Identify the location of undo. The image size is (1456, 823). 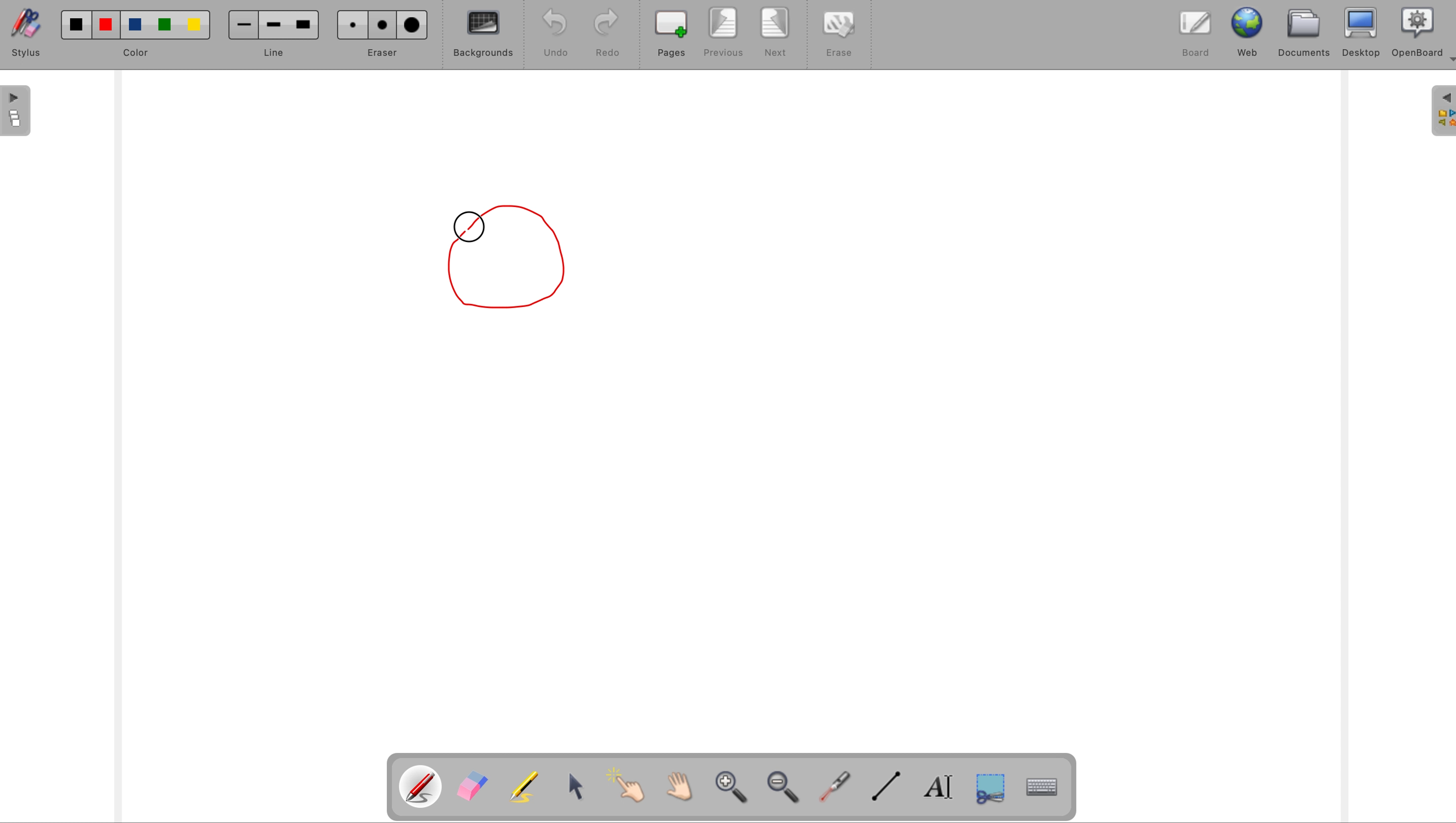
(556, 33).